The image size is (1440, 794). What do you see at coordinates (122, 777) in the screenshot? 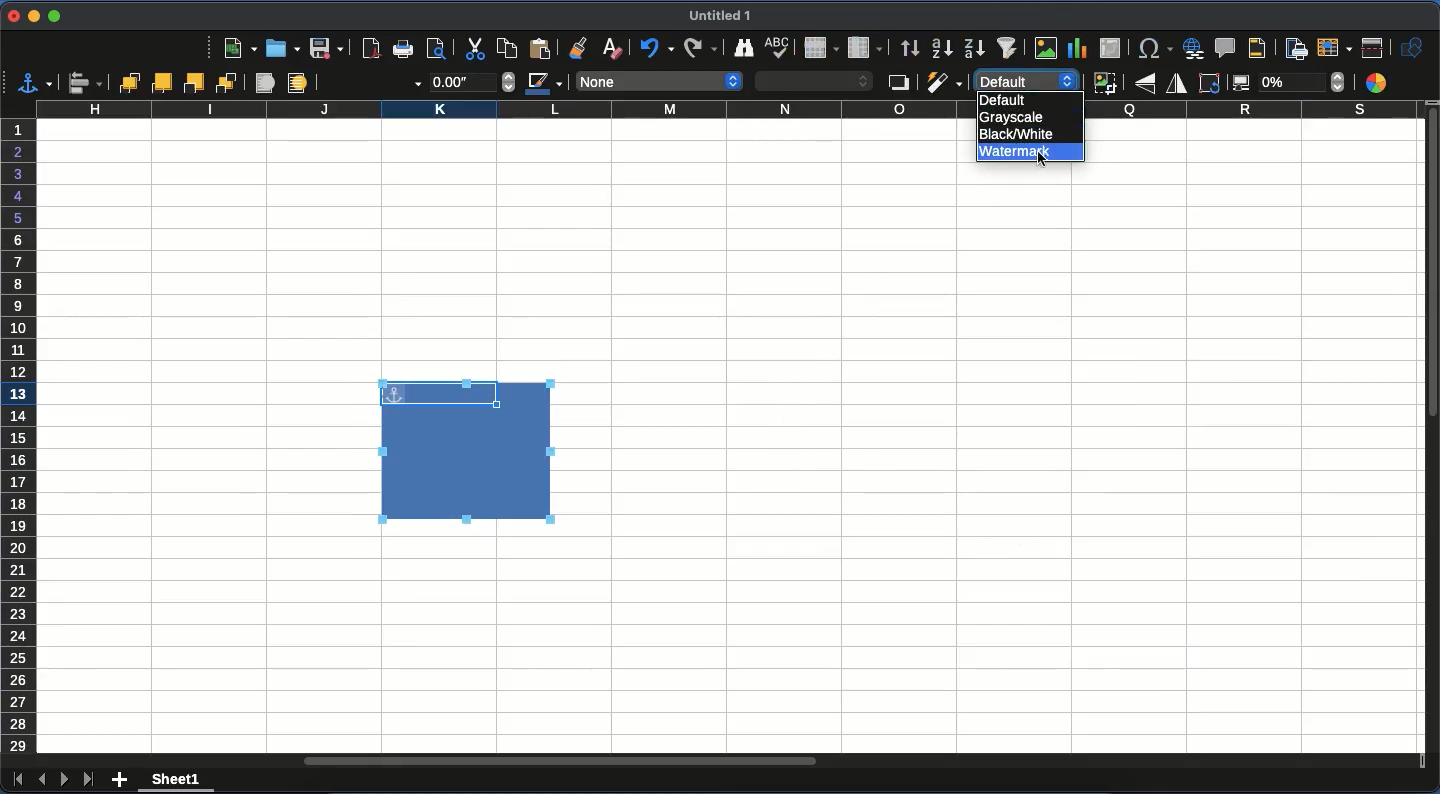
I see `add` at bounding box center [122, 777].